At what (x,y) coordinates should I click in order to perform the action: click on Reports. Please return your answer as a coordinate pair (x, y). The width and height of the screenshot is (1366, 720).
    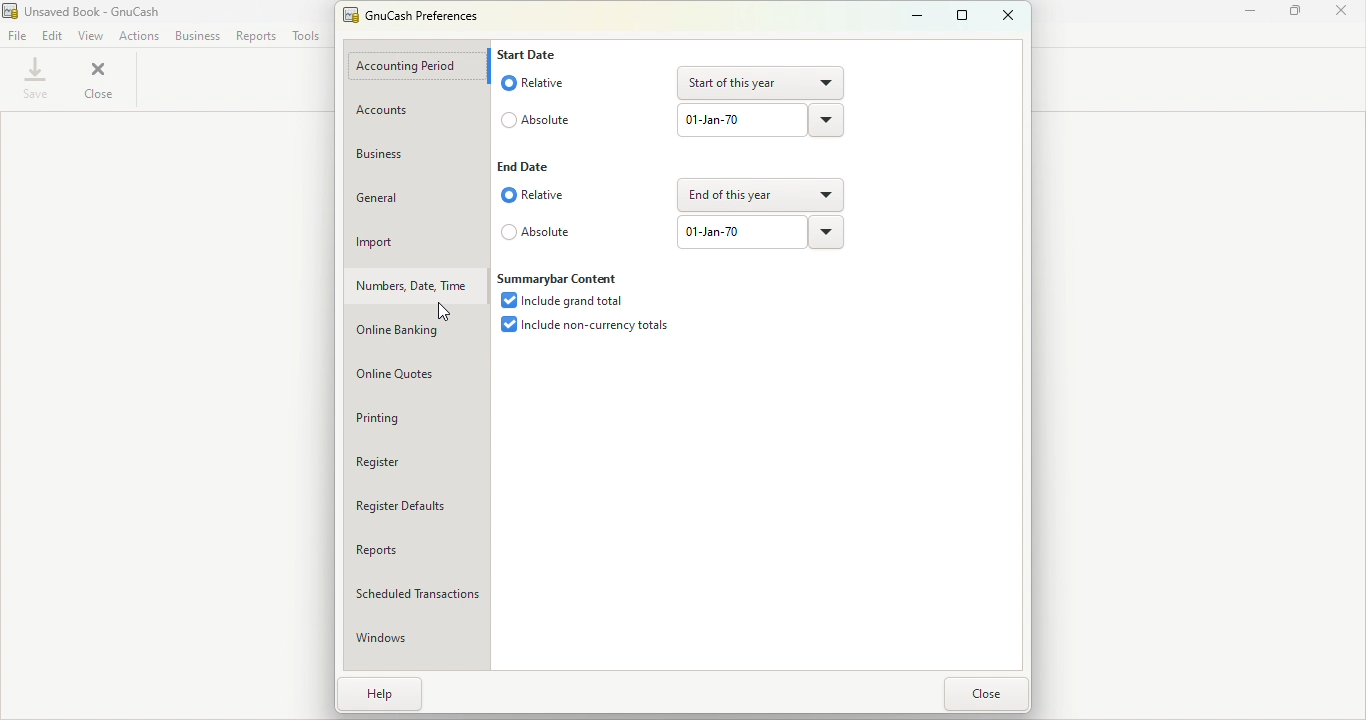
    Looking at the image, I should click on (405, 545).